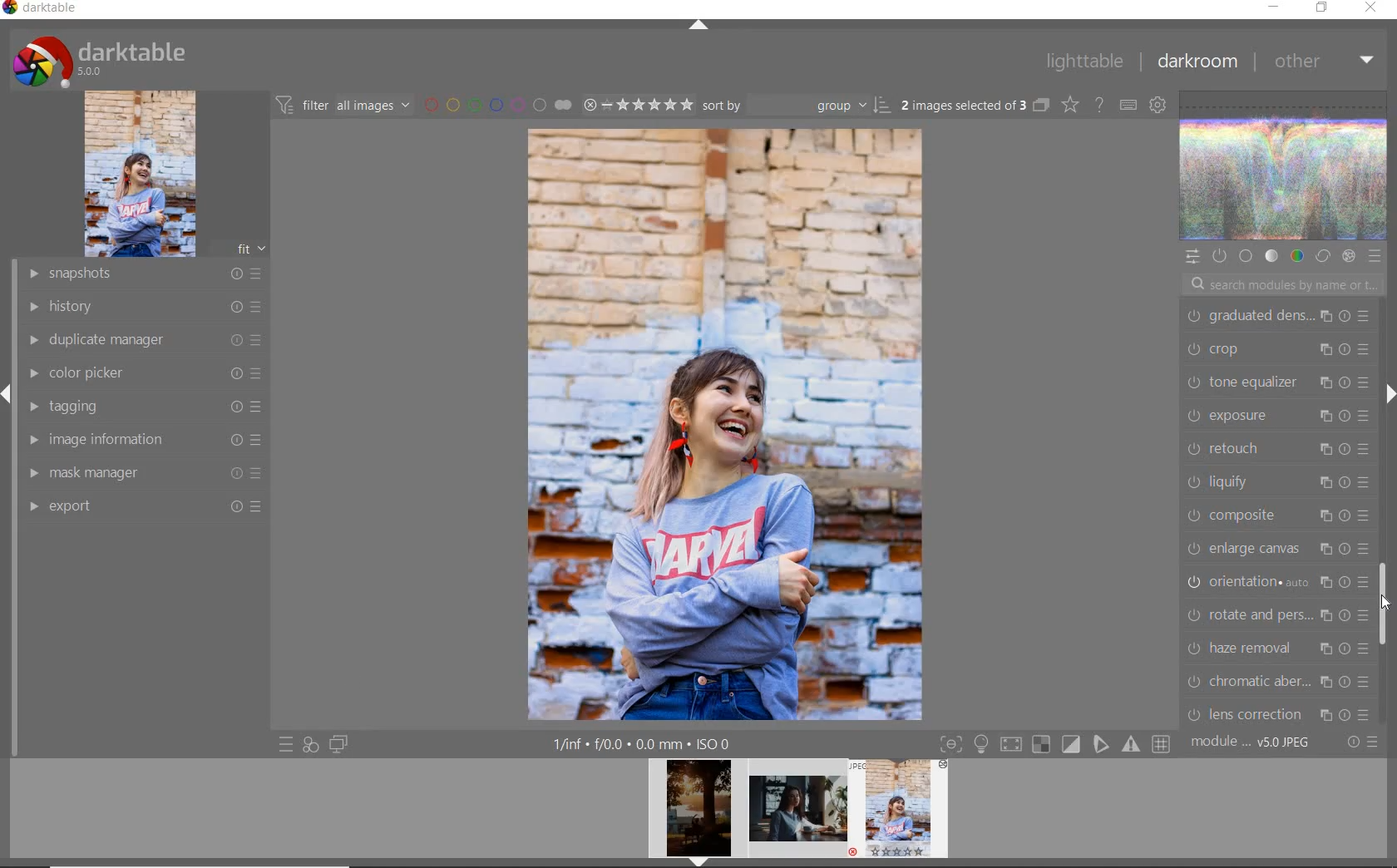  Describe the element at coordinates (1281, 317) in the screenshot. I see `graduated density` at that location.